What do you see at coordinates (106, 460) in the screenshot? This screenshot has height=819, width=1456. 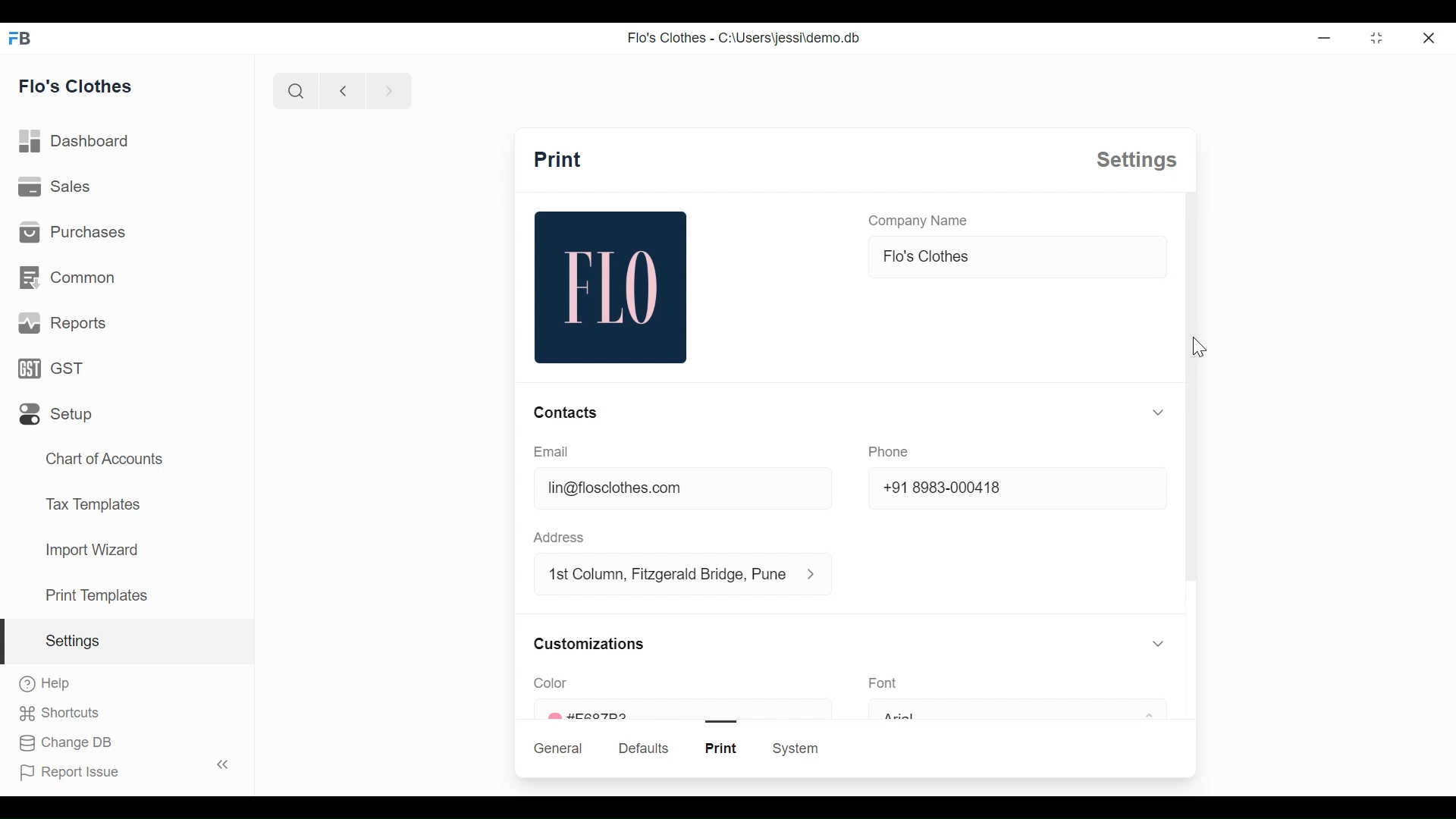 I see `chart of accounts` at bounding box center [106, 460].